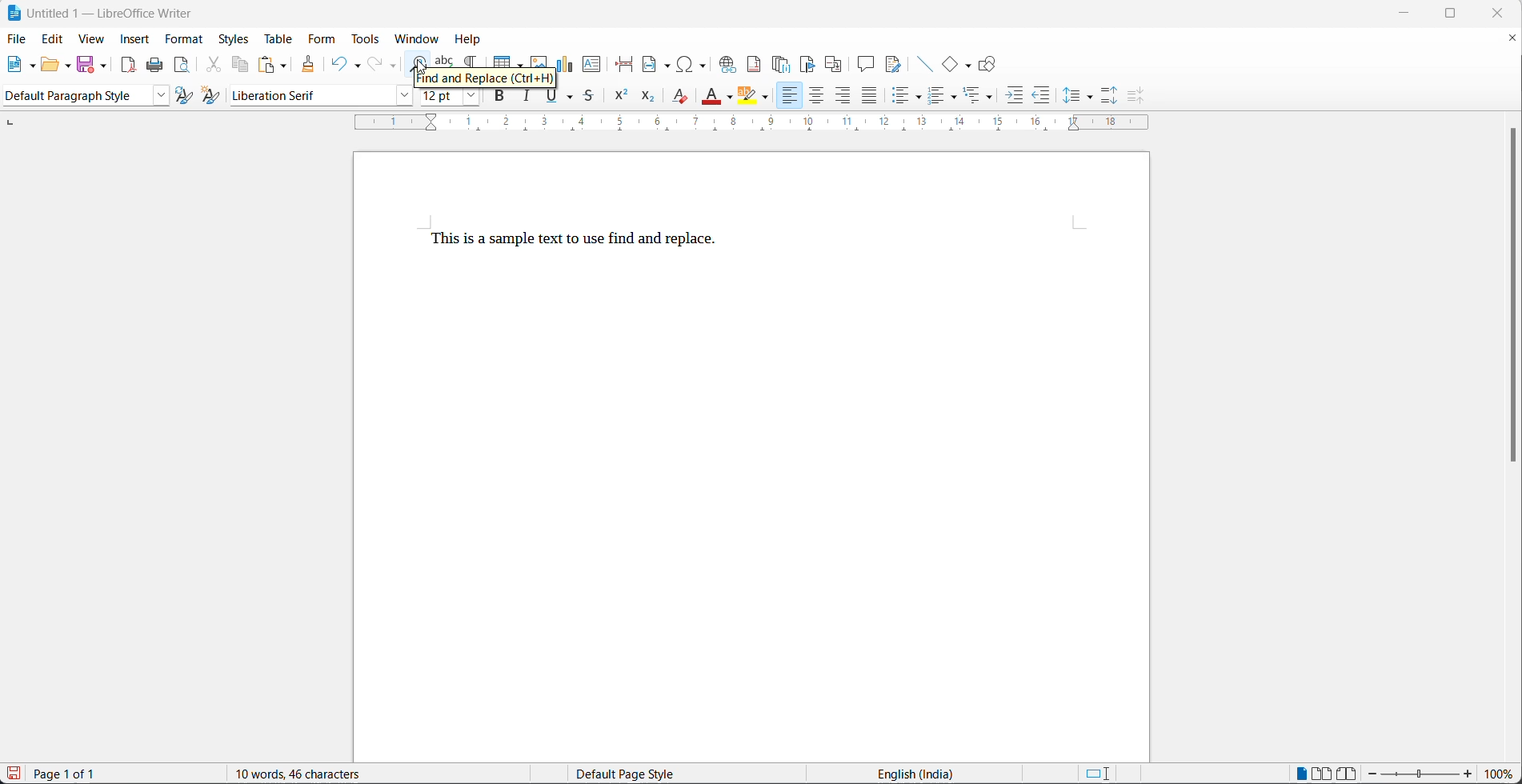 The image size is (1522, 784). Describe the element at coordinates (285, 64) in the screenshot. I see `paste options` at that location.